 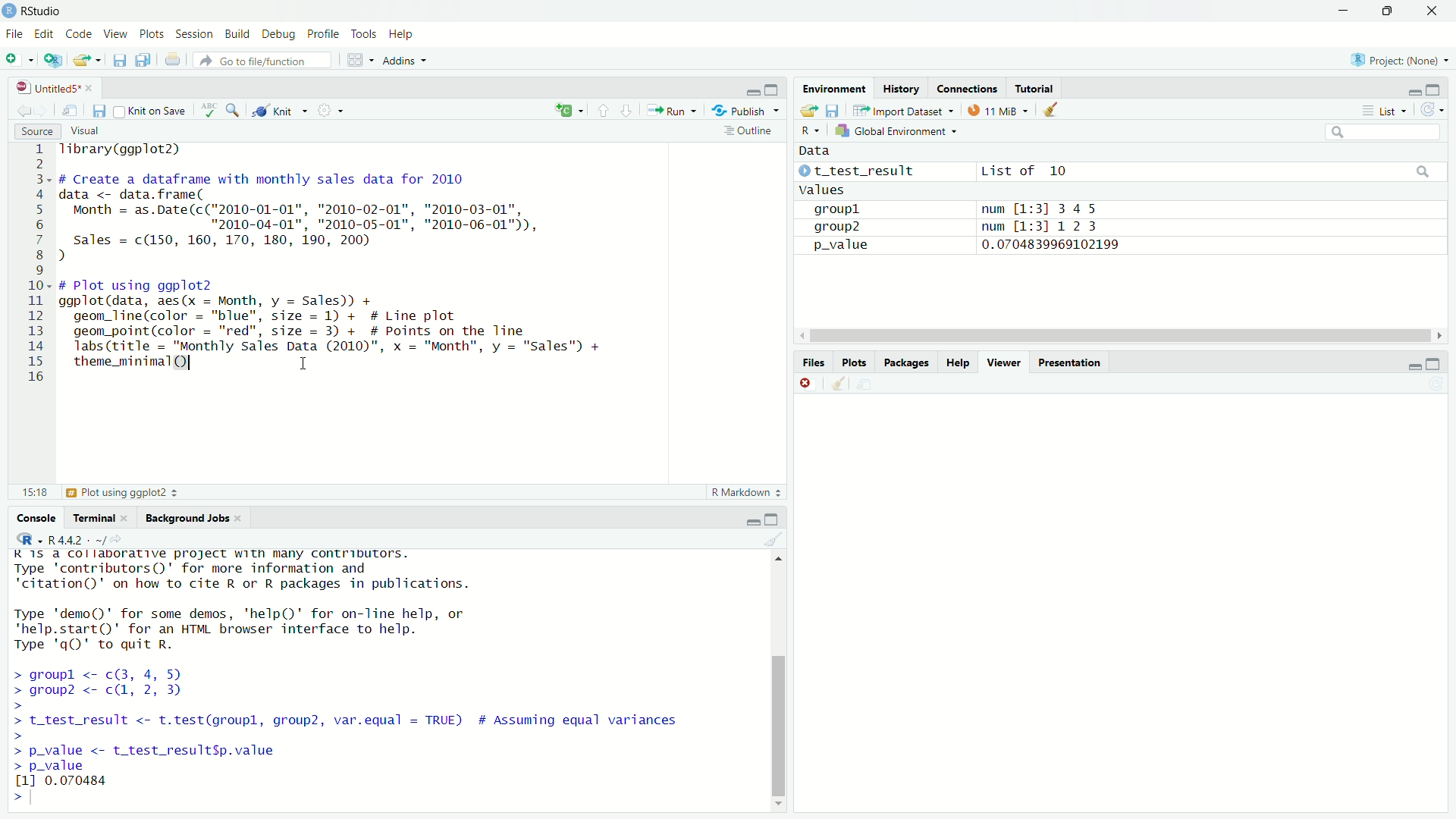 What do you see at coordinates (809, 362) in the screenshot?
I see `Files` at bounding box center [809, 362].